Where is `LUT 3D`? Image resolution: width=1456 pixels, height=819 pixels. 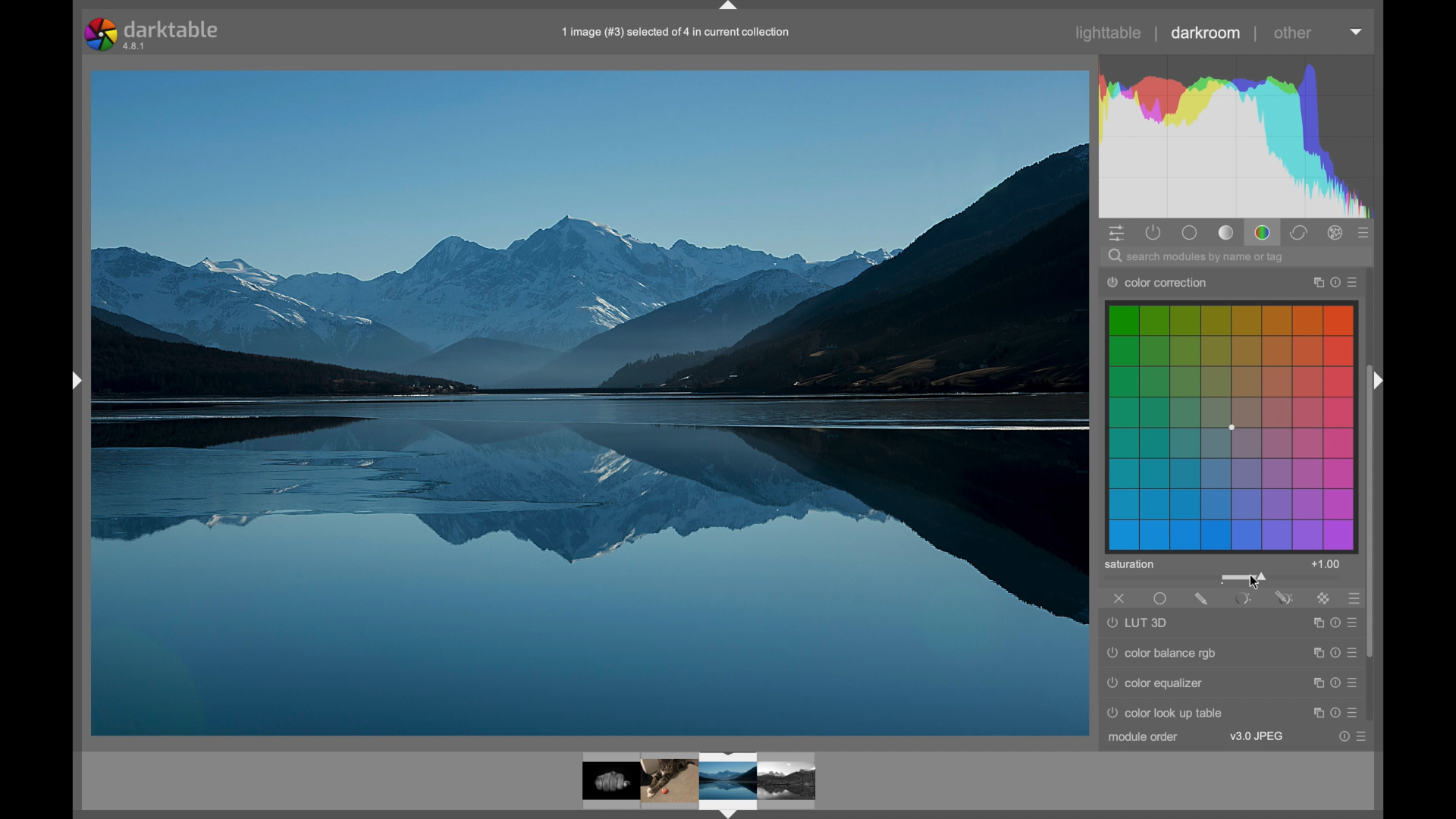 LUT 3D is located at coordinates (1140, 623).